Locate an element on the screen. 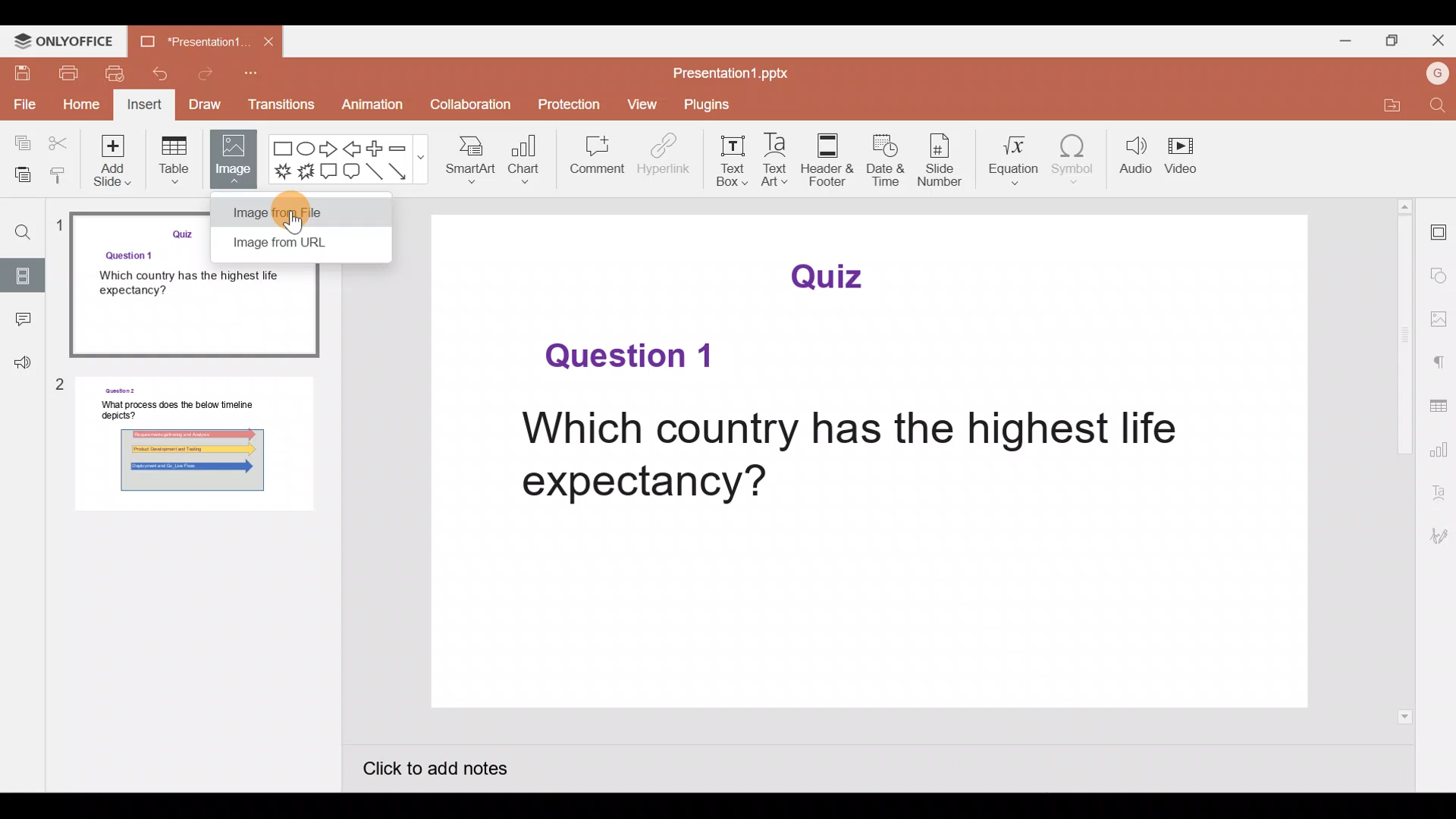 The width and height of the screenshot is (1456, 819). ONLYOFFICE is located at coordinates (72, 42).